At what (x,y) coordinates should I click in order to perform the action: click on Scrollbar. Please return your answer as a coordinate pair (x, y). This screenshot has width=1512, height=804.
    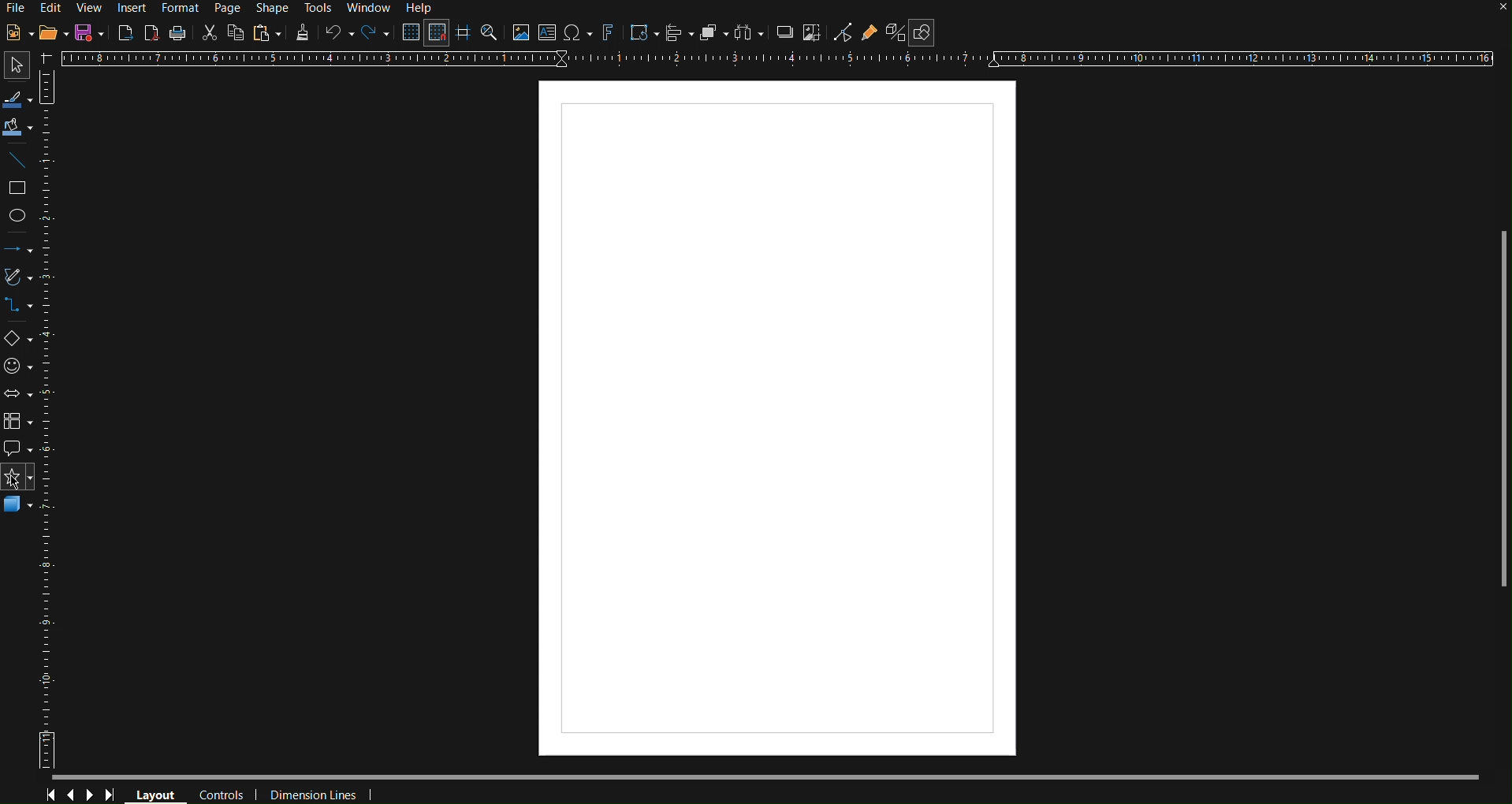
    Looking at the image, I should click on (1494, 400).